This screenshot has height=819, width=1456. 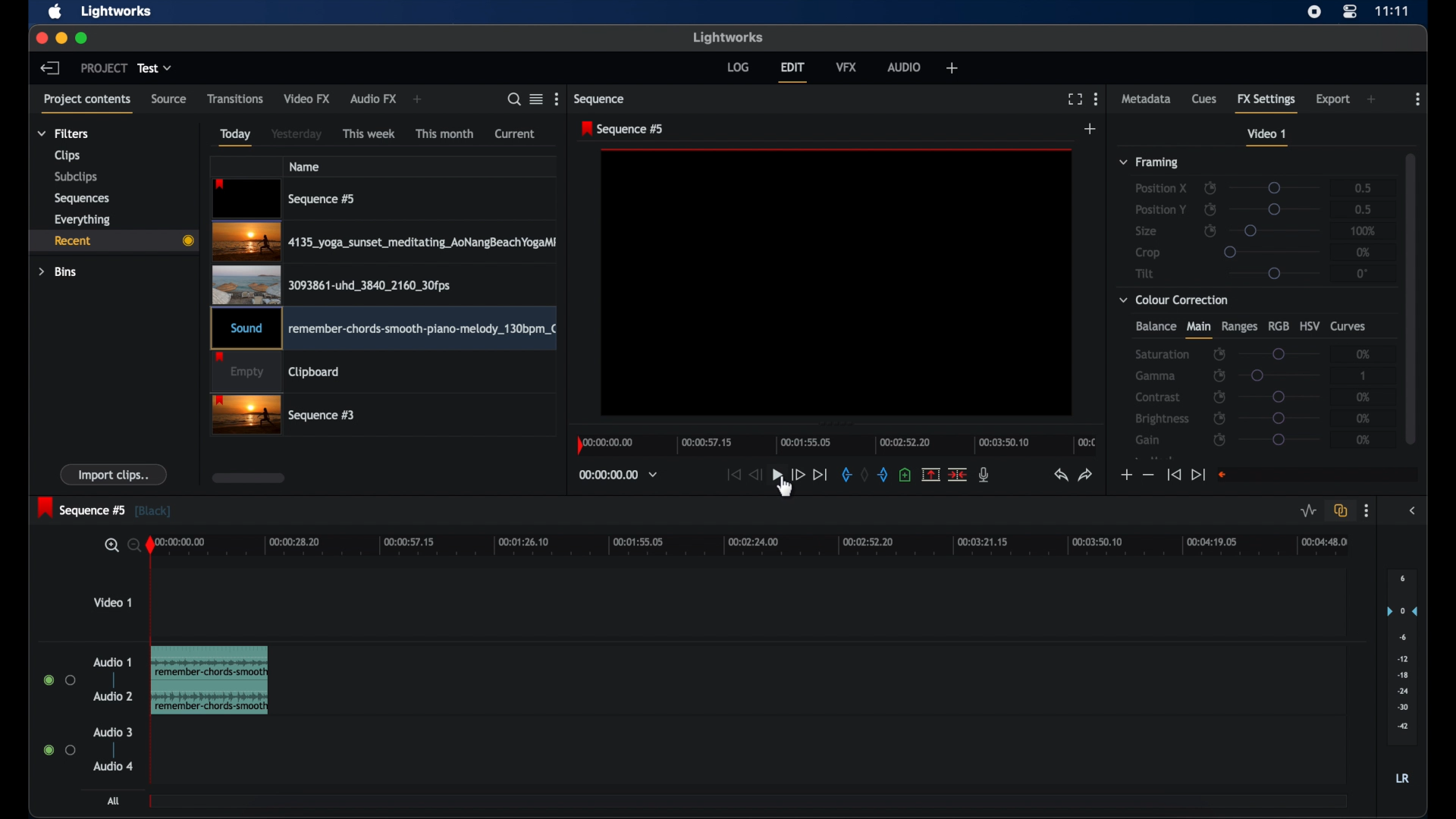 What do you see at coordinates (1362, 273) in the screenshot?
I see `0` at bounding box center [1362, 273].